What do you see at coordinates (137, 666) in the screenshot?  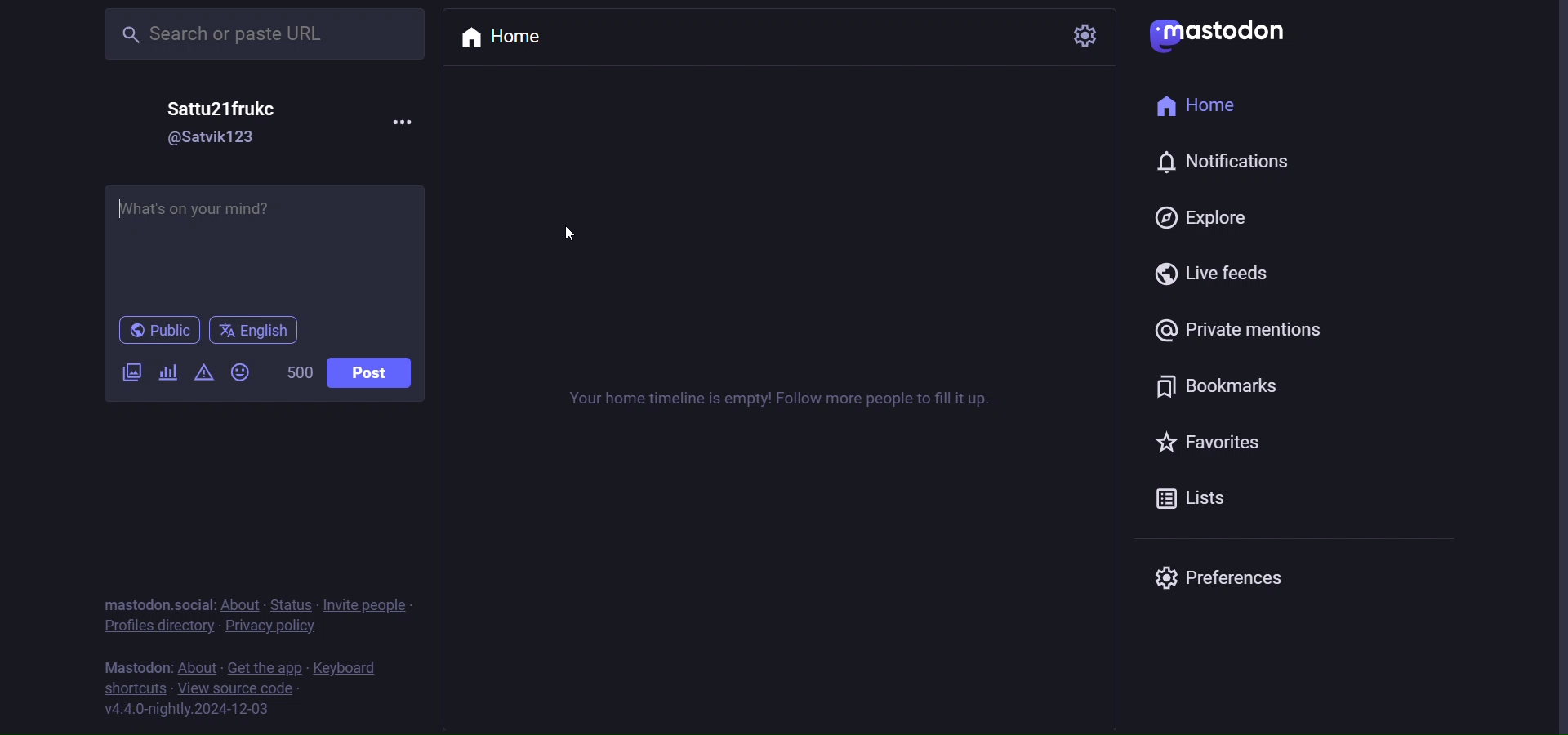 I see `mastodon` at bounding box center [137, 666].